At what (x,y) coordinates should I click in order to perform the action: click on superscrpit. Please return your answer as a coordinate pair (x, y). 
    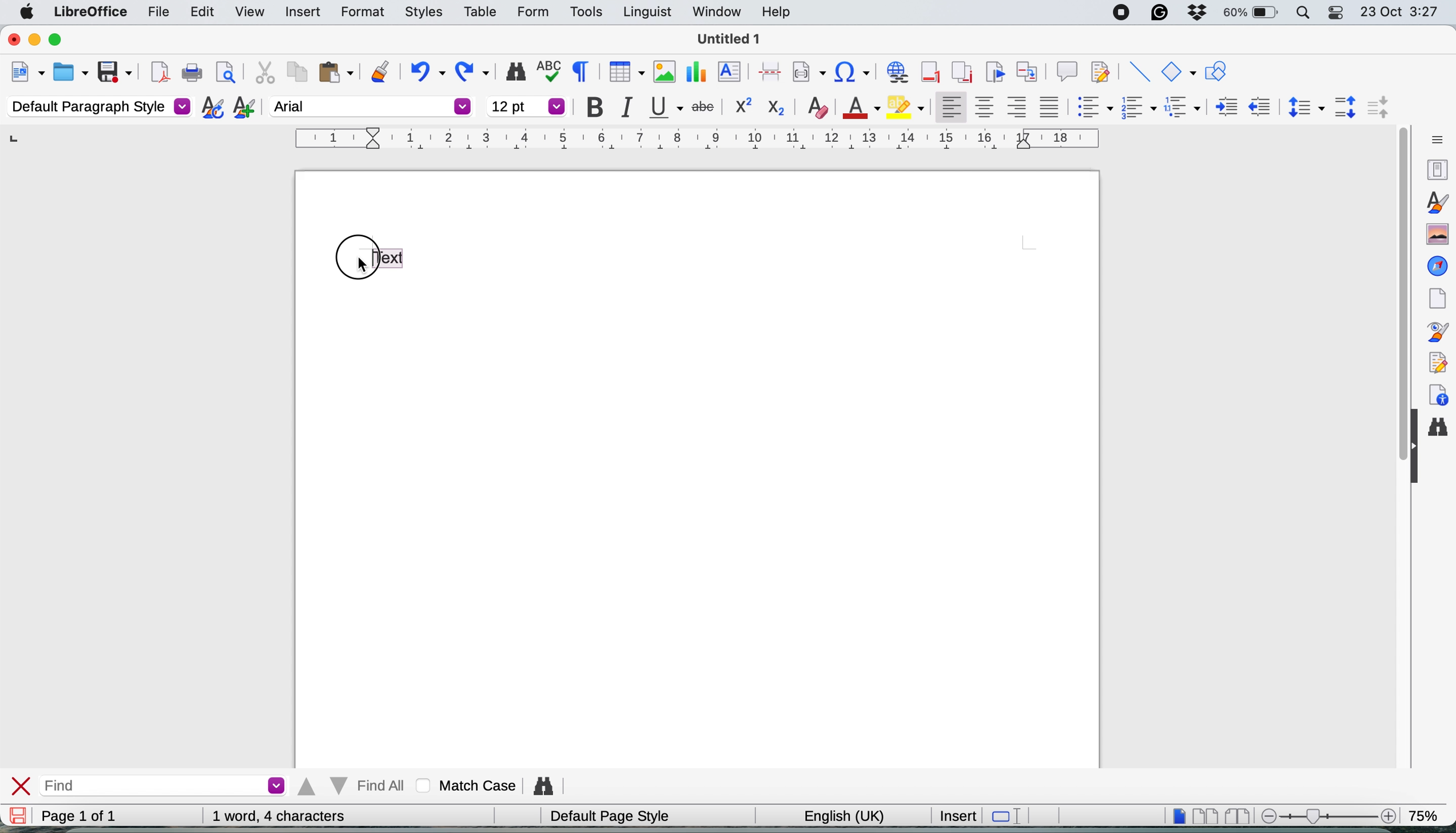
    Looking at the image, I should click on (744, 107).